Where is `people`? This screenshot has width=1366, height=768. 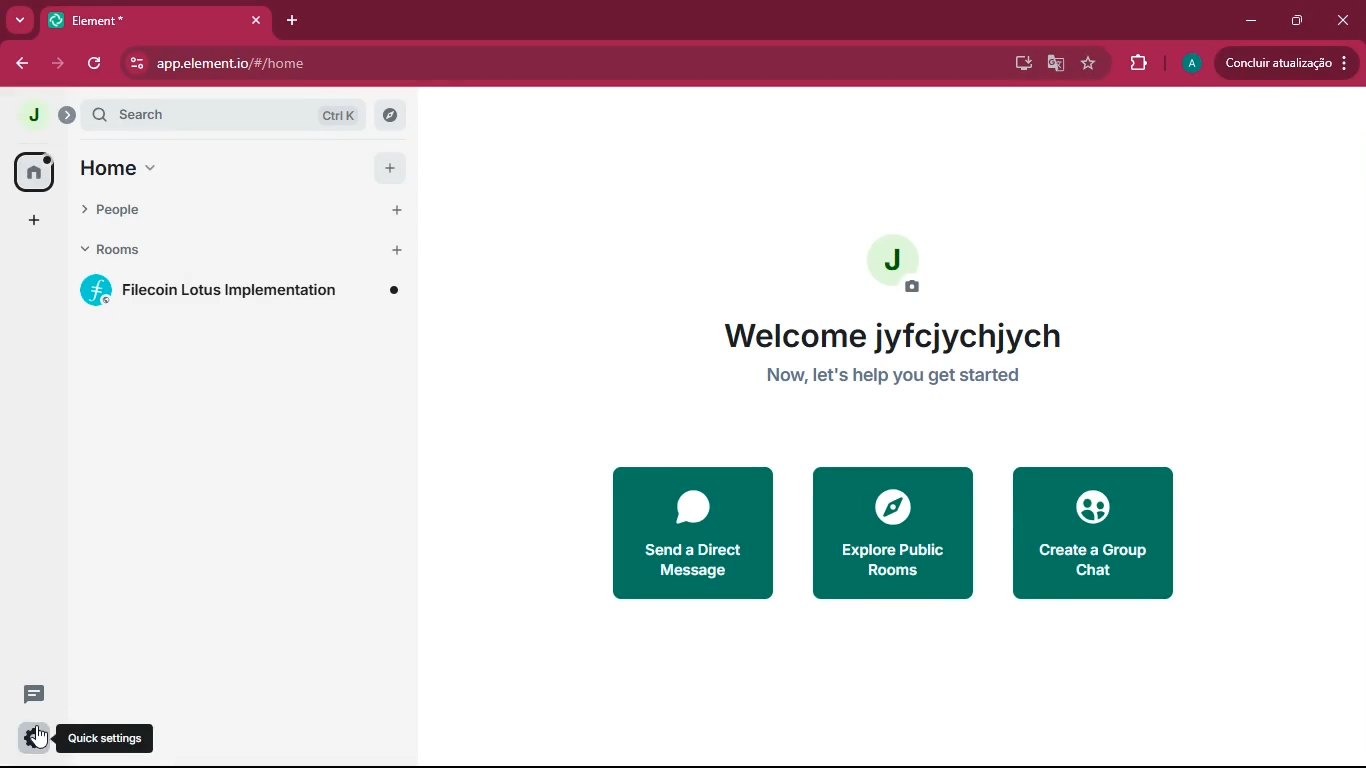 people is located at coordinates (206, 212).